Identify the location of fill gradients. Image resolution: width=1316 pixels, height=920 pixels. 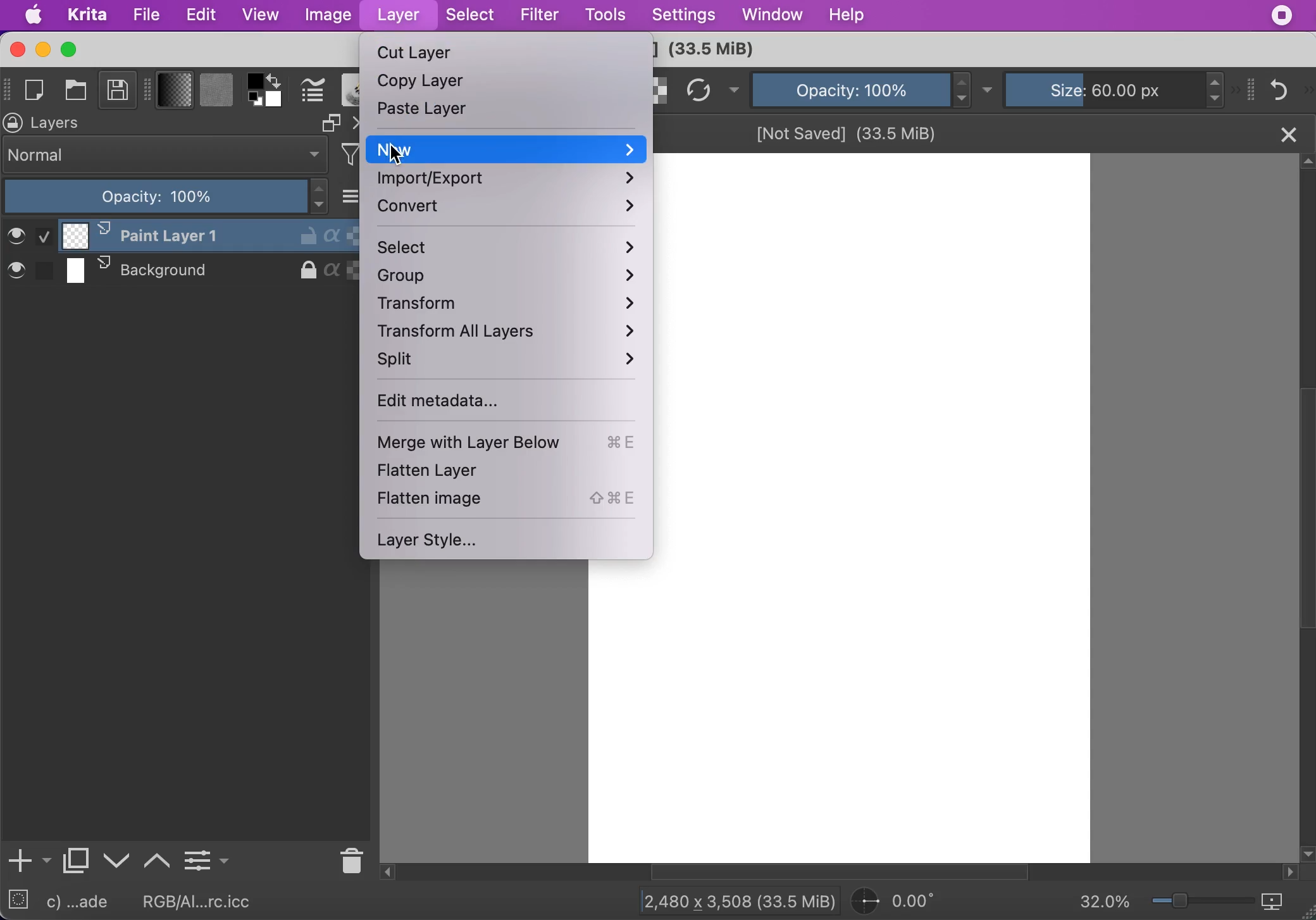
(175, 91).